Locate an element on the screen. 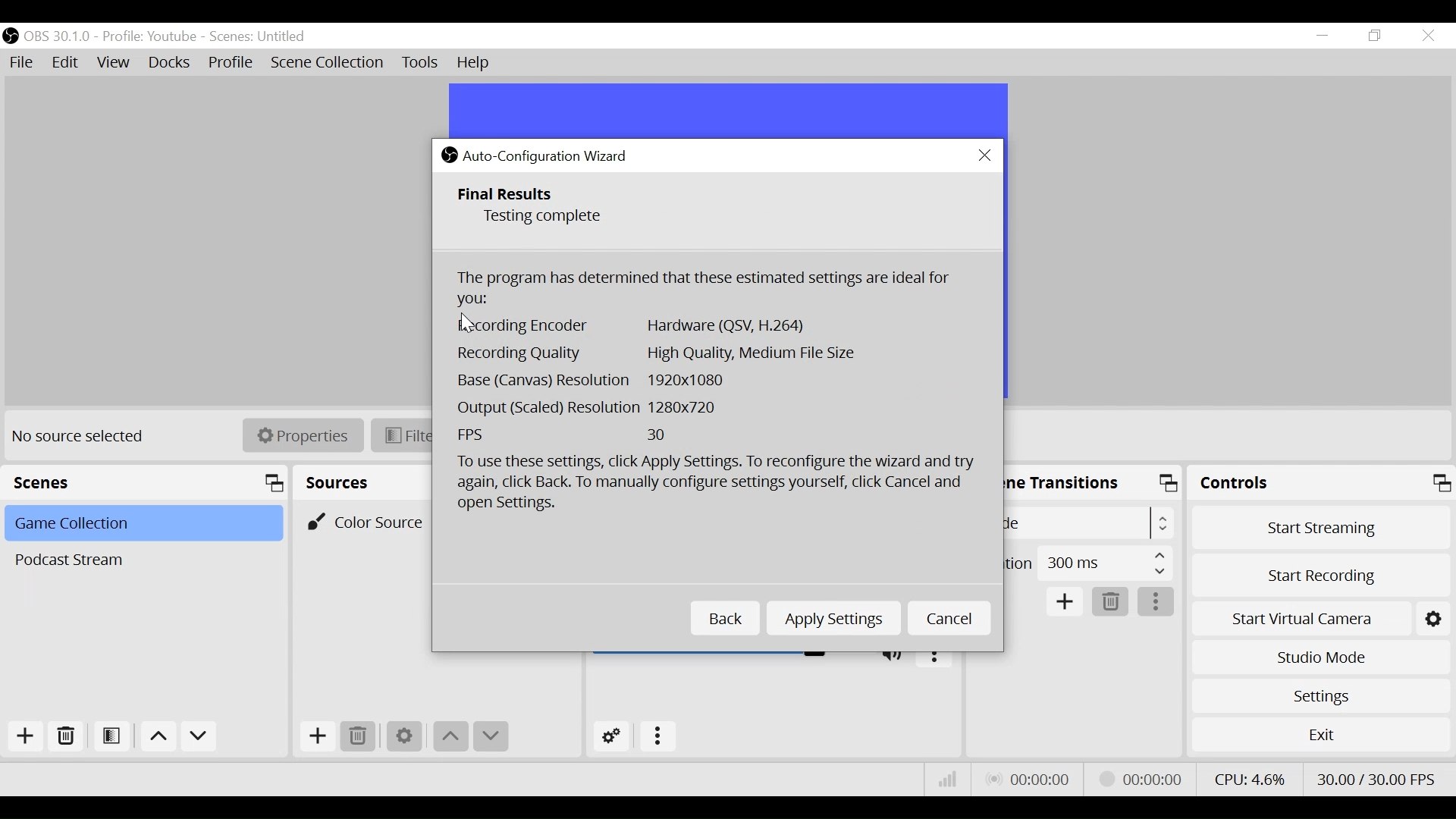 The height and width of the screenshot is (819, 1456). Remove is located at coordinates (64, 736).